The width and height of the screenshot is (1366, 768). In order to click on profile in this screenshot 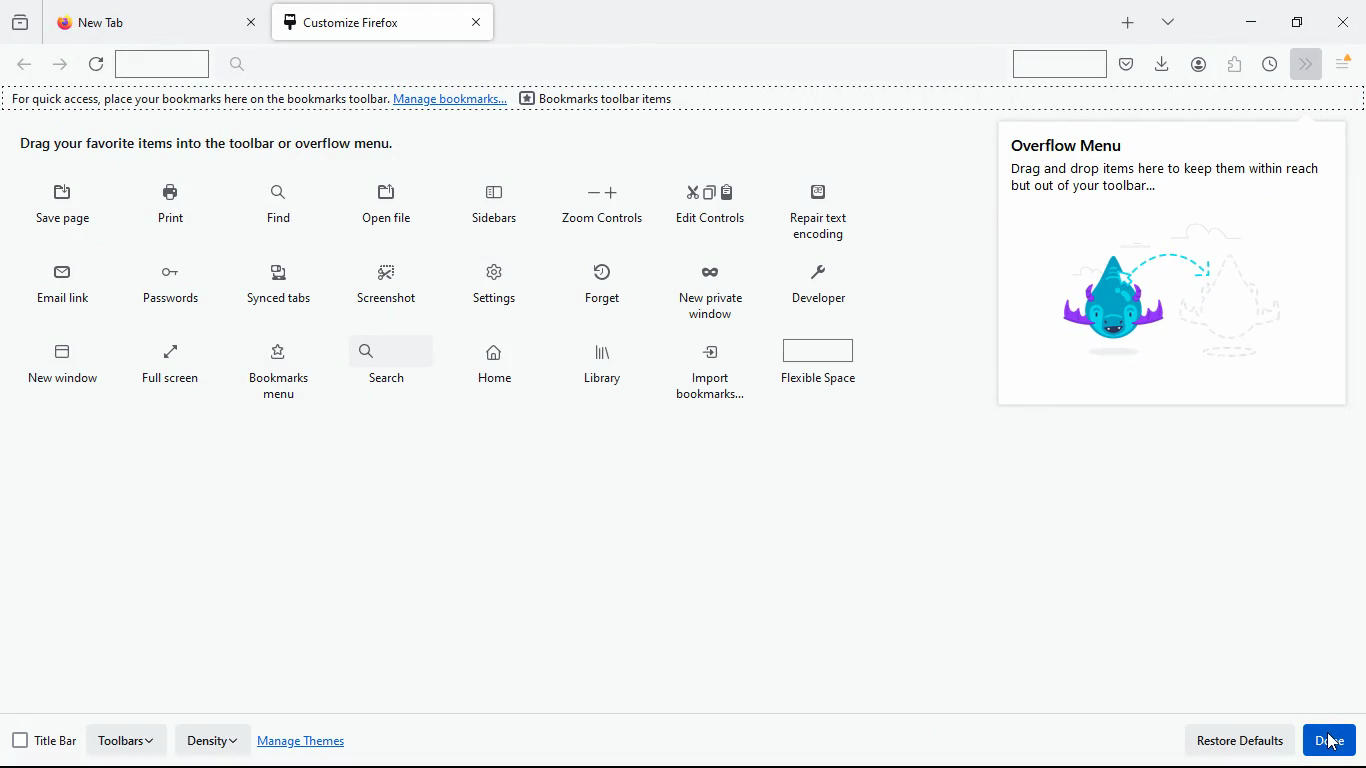, I will do `click(1199, 63)`.